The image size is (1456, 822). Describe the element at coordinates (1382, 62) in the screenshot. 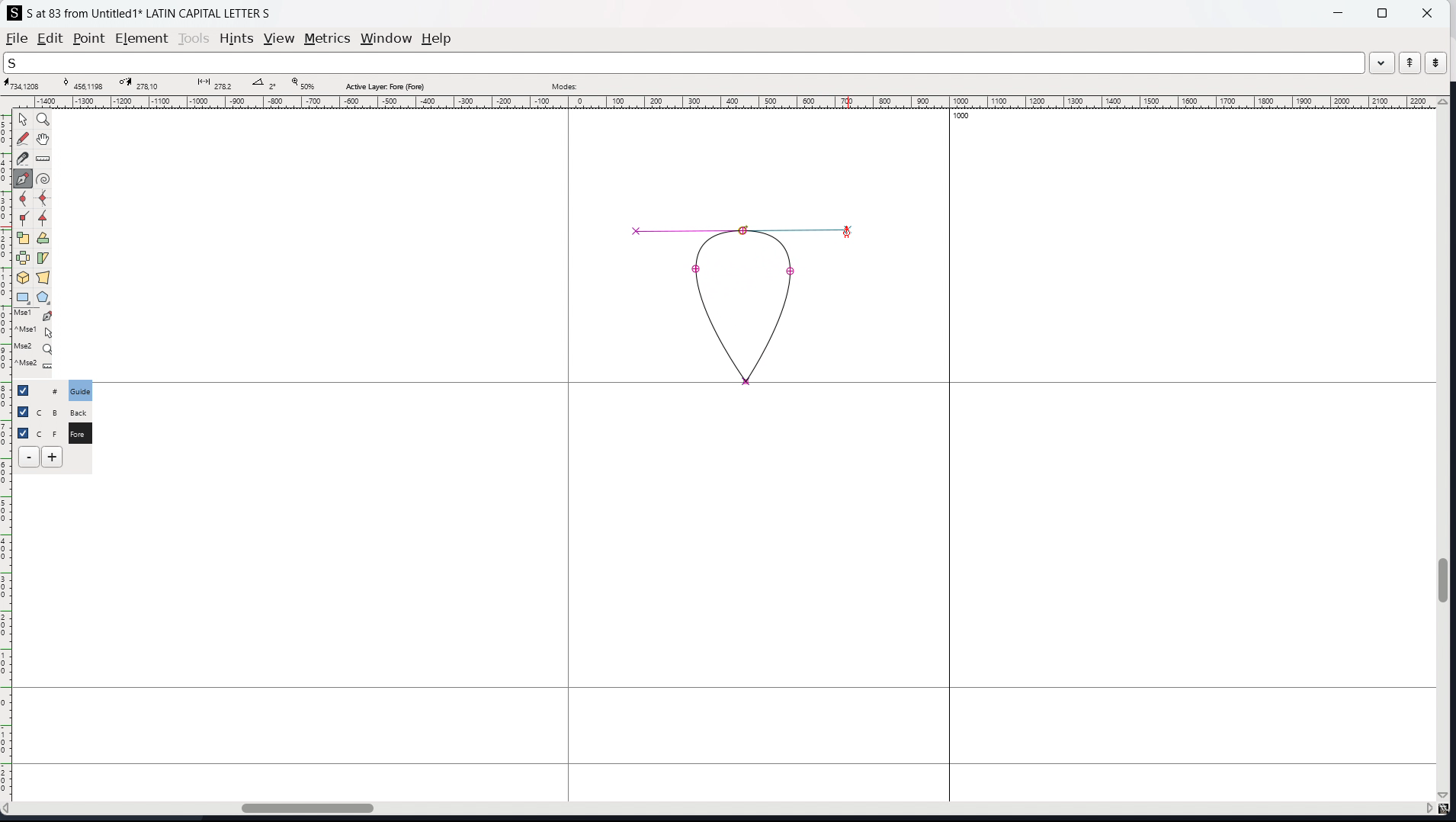

I see `dropdown` at that location.